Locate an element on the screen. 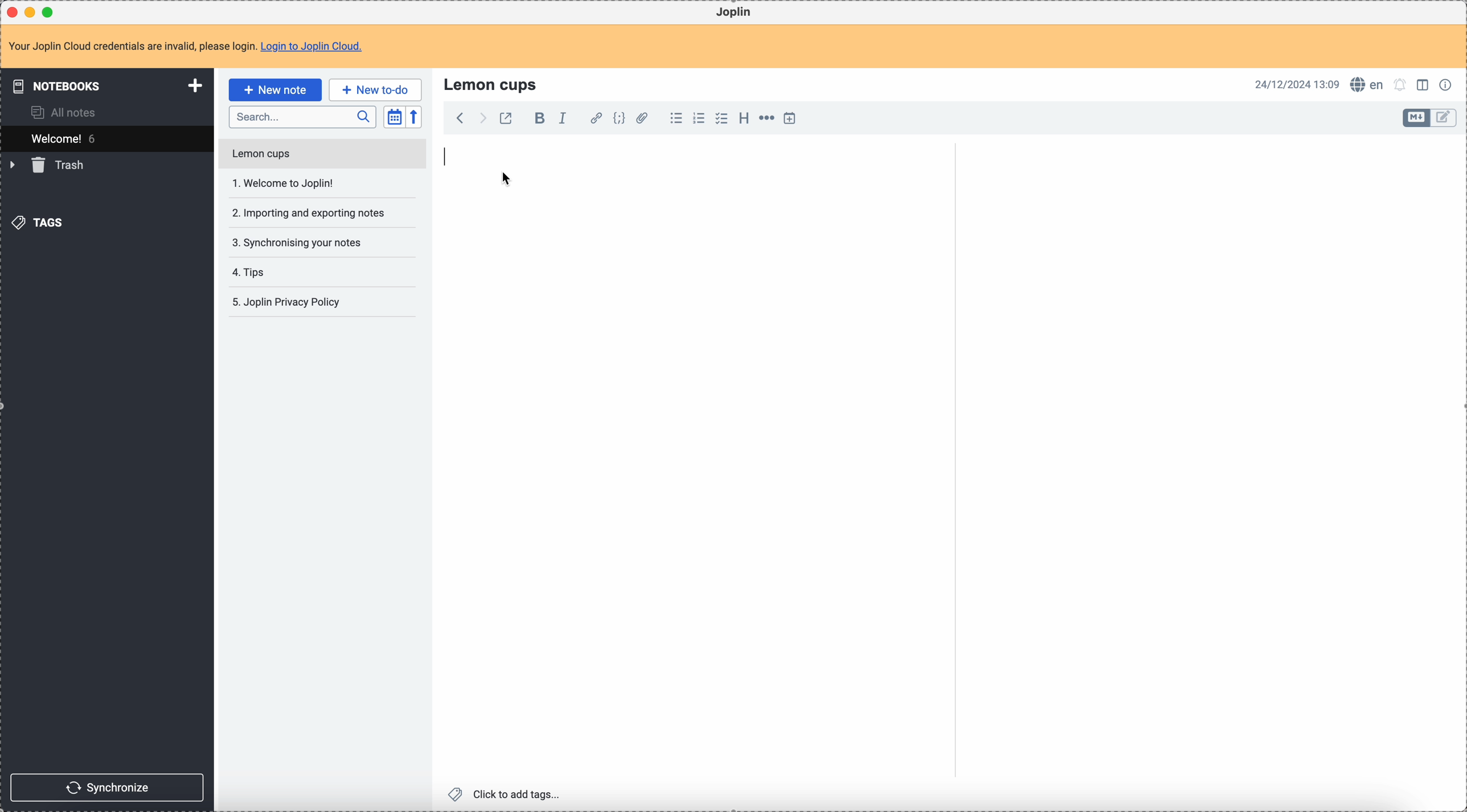 The height and width of the screenshot is (812, 1467). numbered list is located at coordinates (700, 118).